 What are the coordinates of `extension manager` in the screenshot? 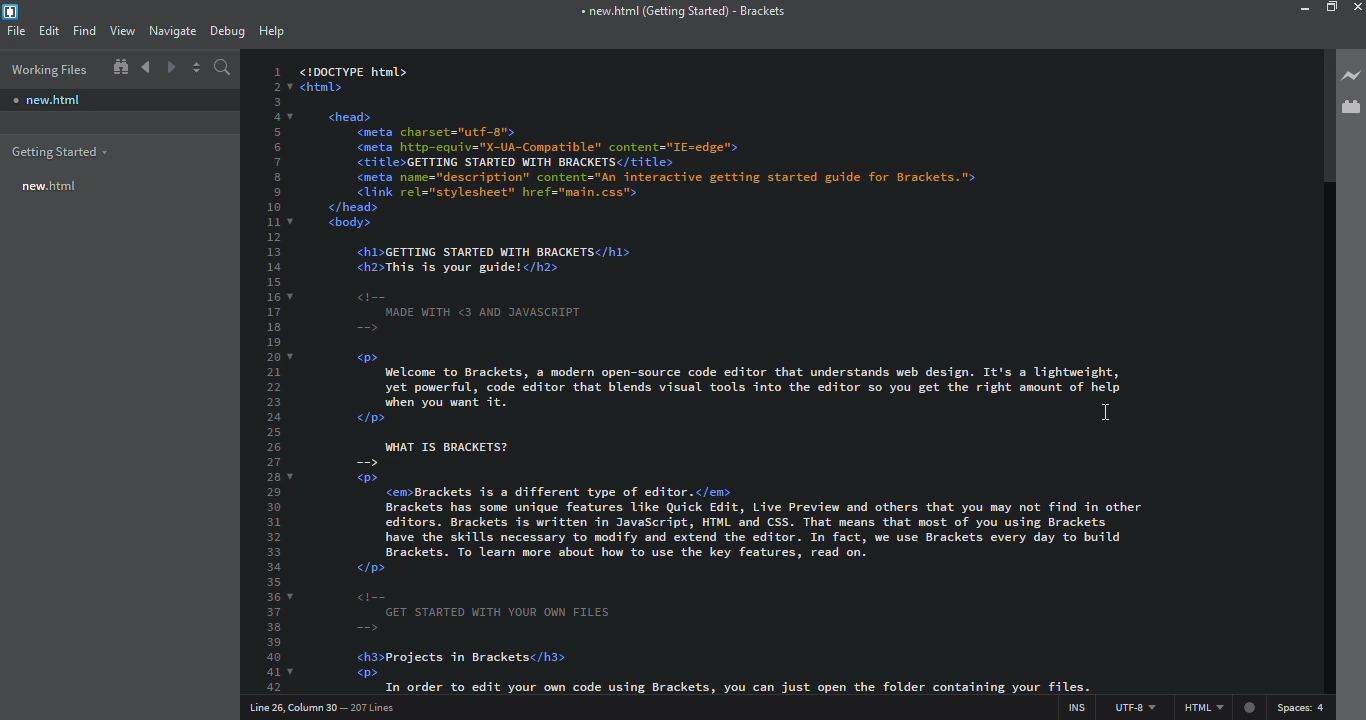 It's located at (1350, 106).